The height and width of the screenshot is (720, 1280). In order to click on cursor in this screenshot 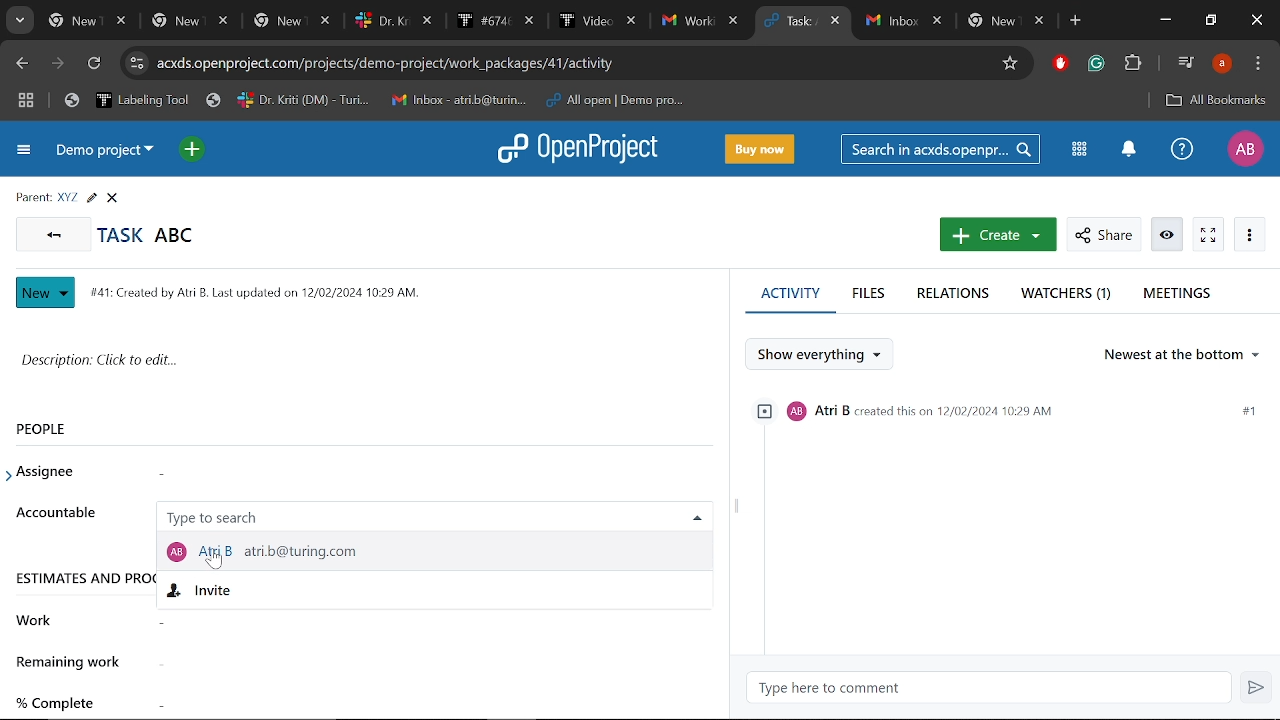, I will do `click(216, 563)`.